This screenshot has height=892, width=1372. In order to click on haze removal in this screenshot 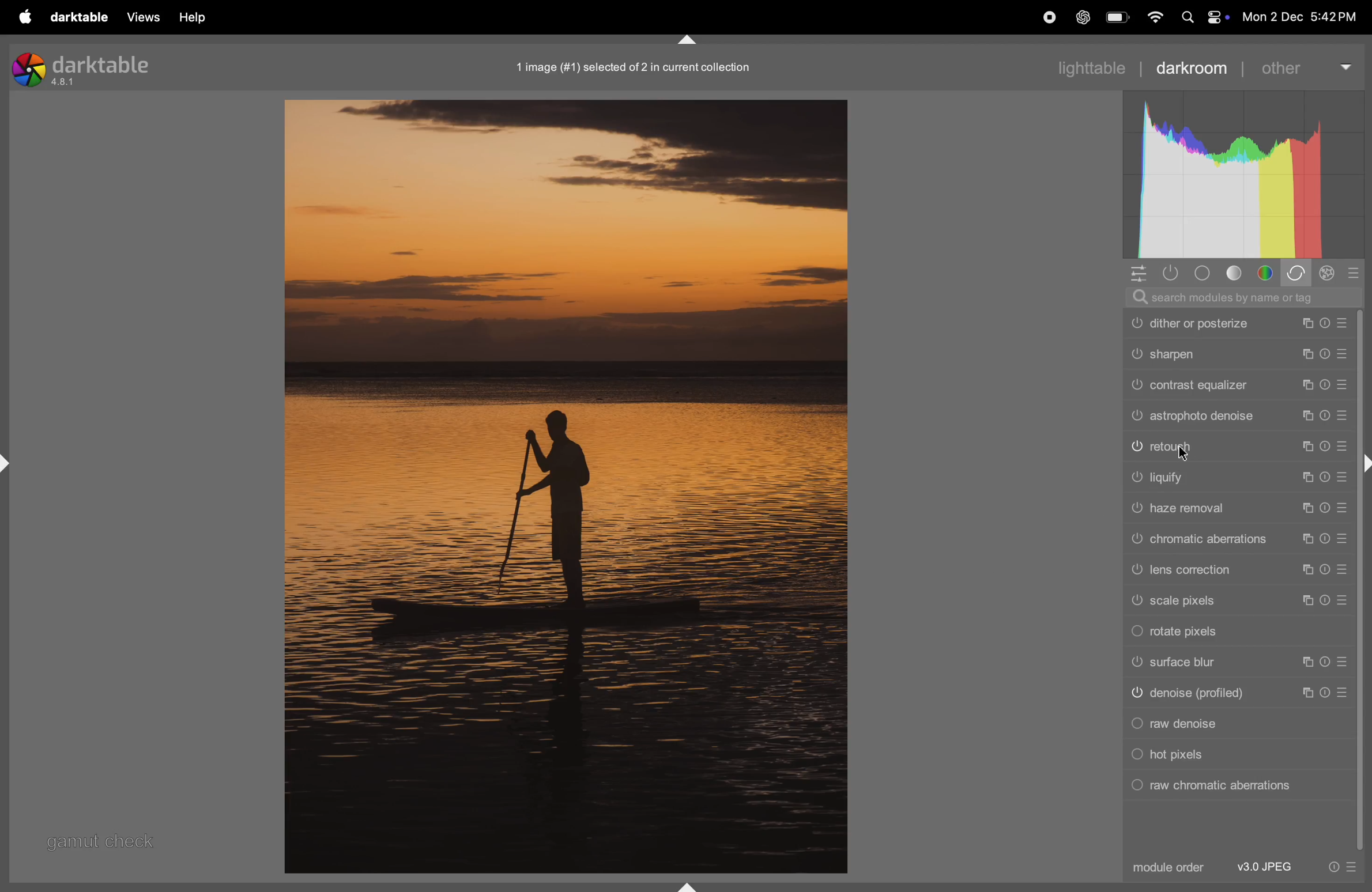, I will do `click(1238, 507)`.